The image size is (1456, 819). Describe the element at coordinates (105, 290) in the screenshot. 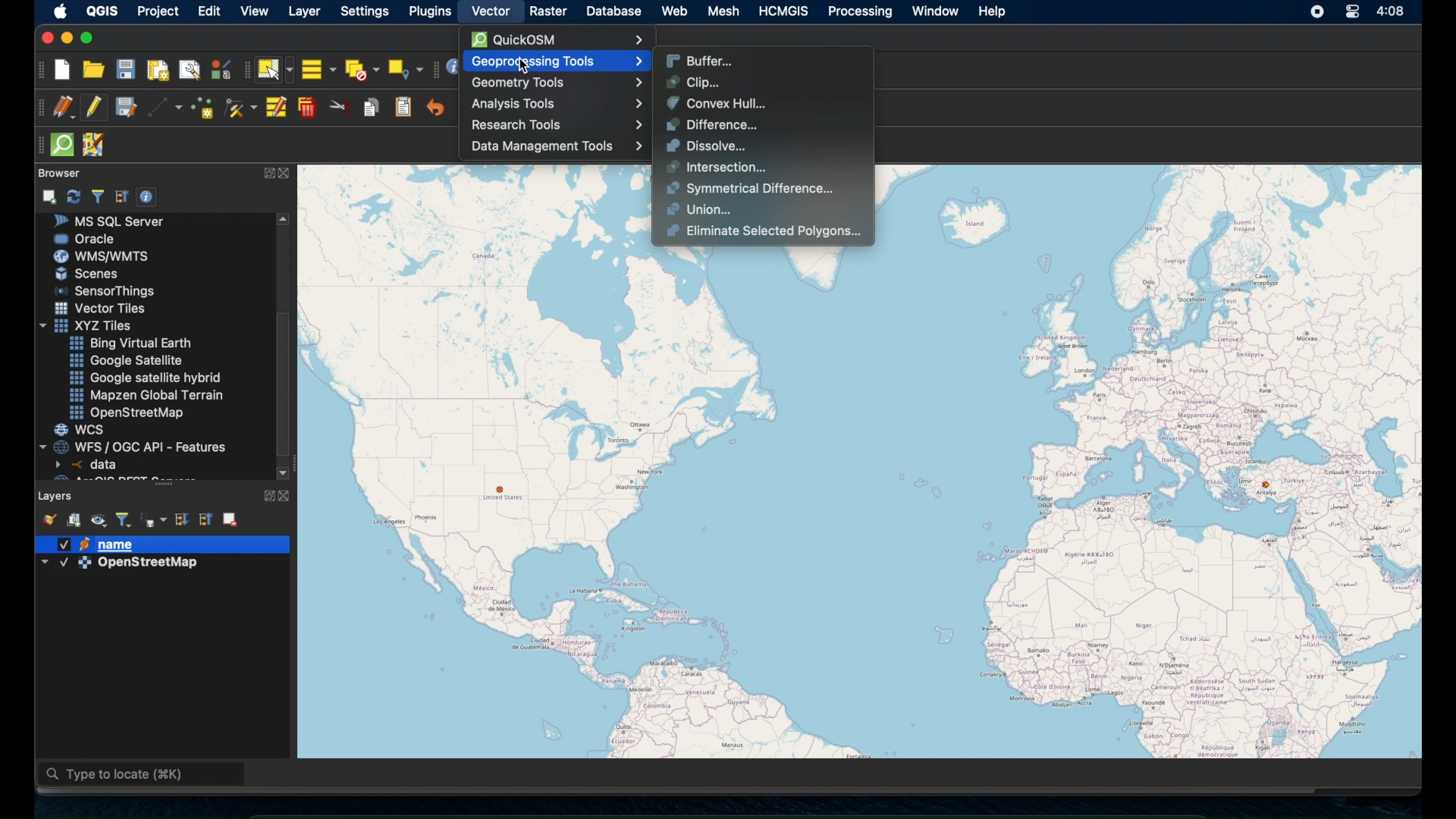

I see `sensor things` at that location.